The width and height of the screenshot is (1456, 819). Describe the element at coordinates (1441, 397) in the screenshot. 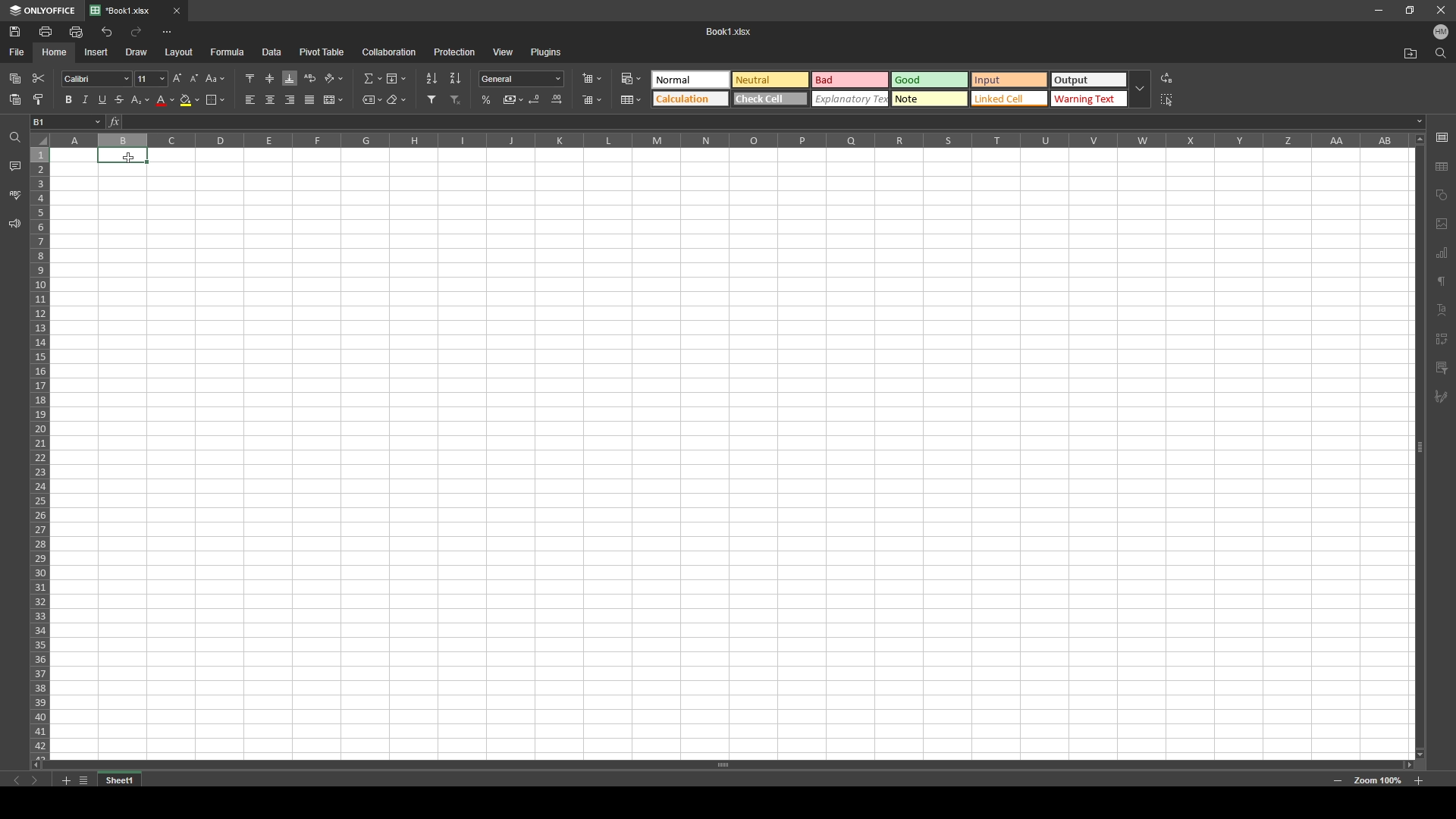

I see `pen and brush` at that location.